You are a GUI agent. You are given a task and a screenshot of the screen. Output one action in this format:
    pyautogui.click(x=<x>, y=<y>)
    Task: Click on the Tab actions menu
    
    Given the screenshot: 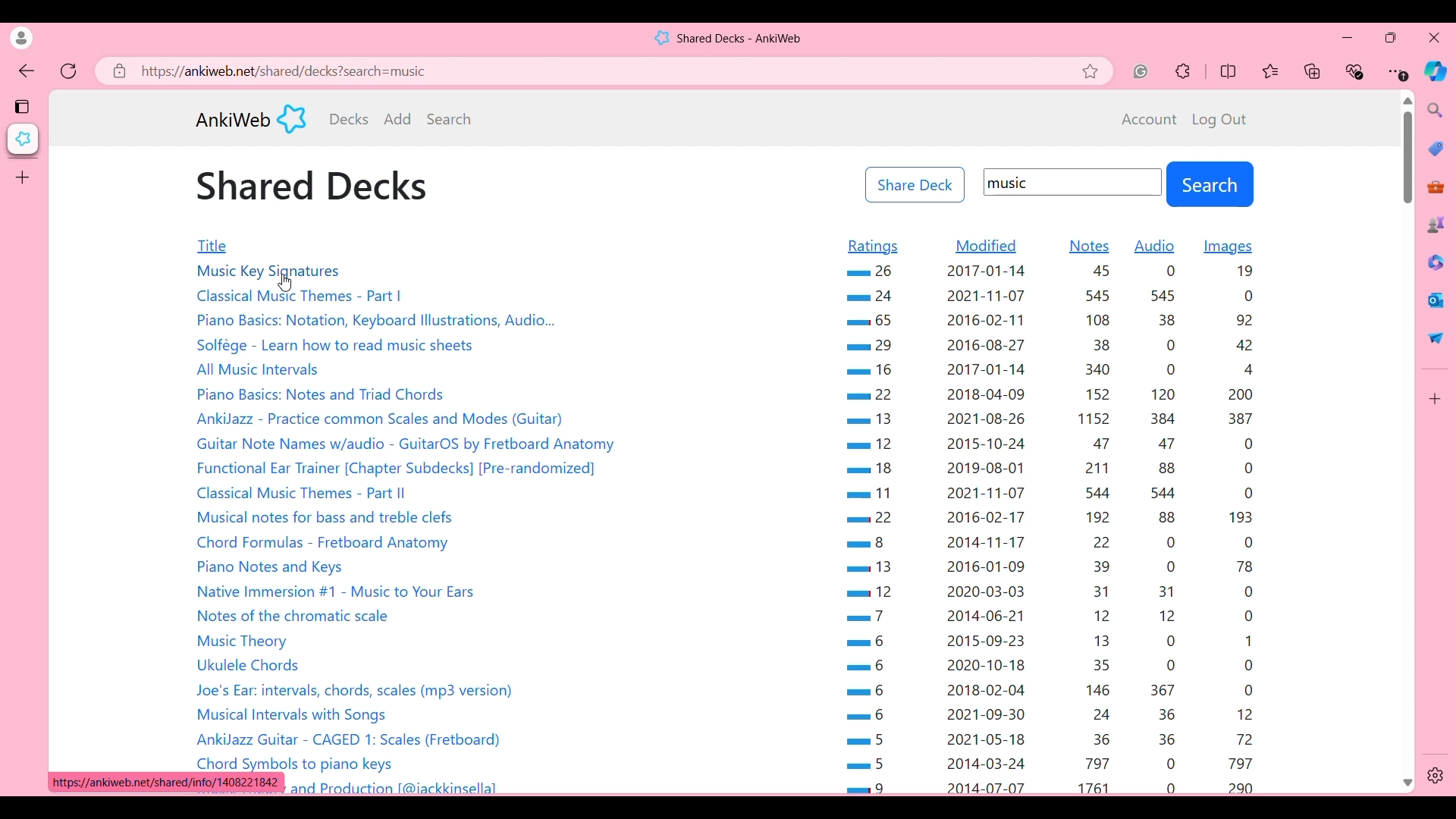 What is the action you would take?
    pyautogui.click(x=24, y=105)
    